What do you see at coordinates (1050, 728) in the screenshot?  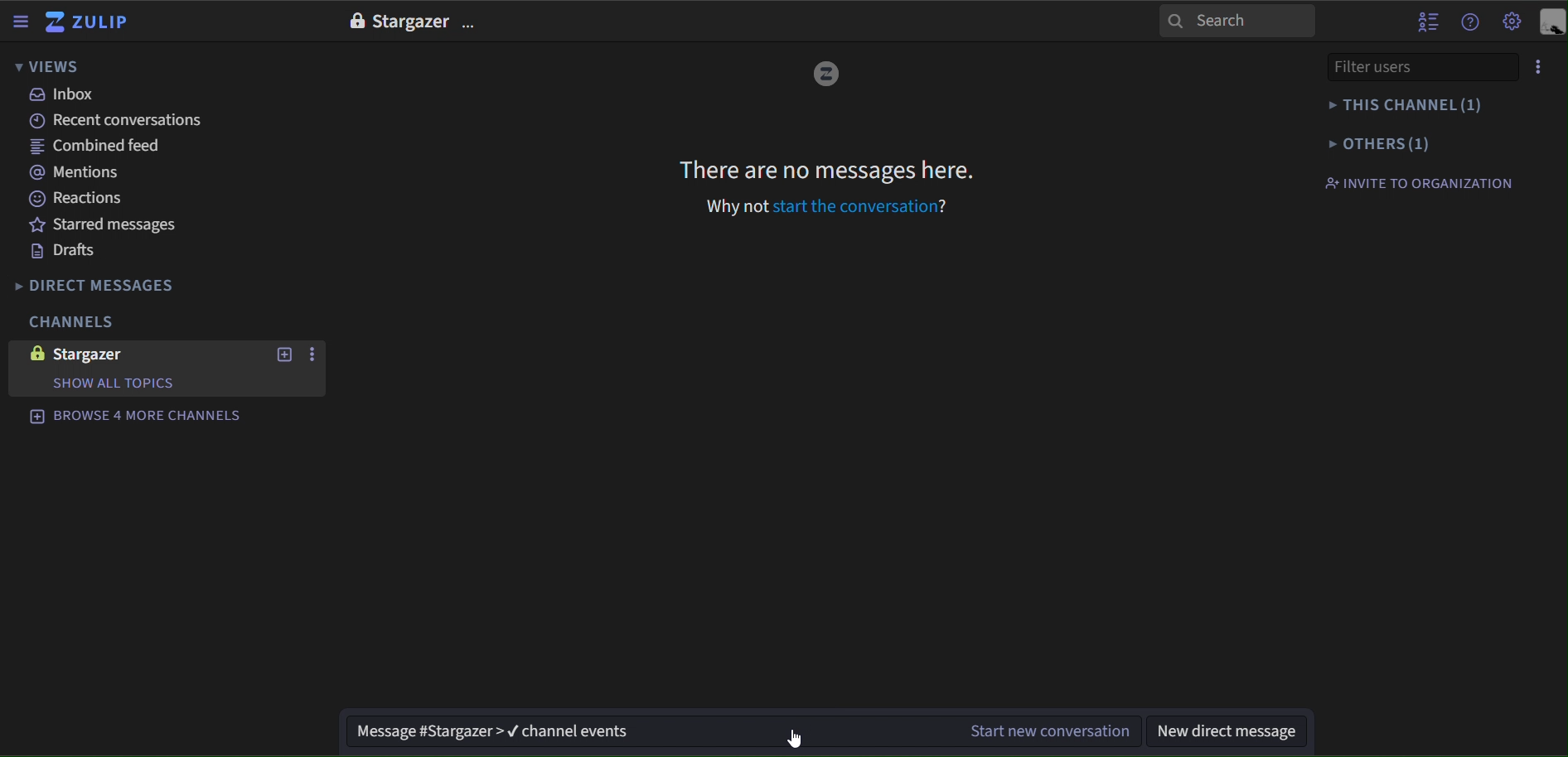 I see `Start new conversation` at bounding box center [1050, 728].